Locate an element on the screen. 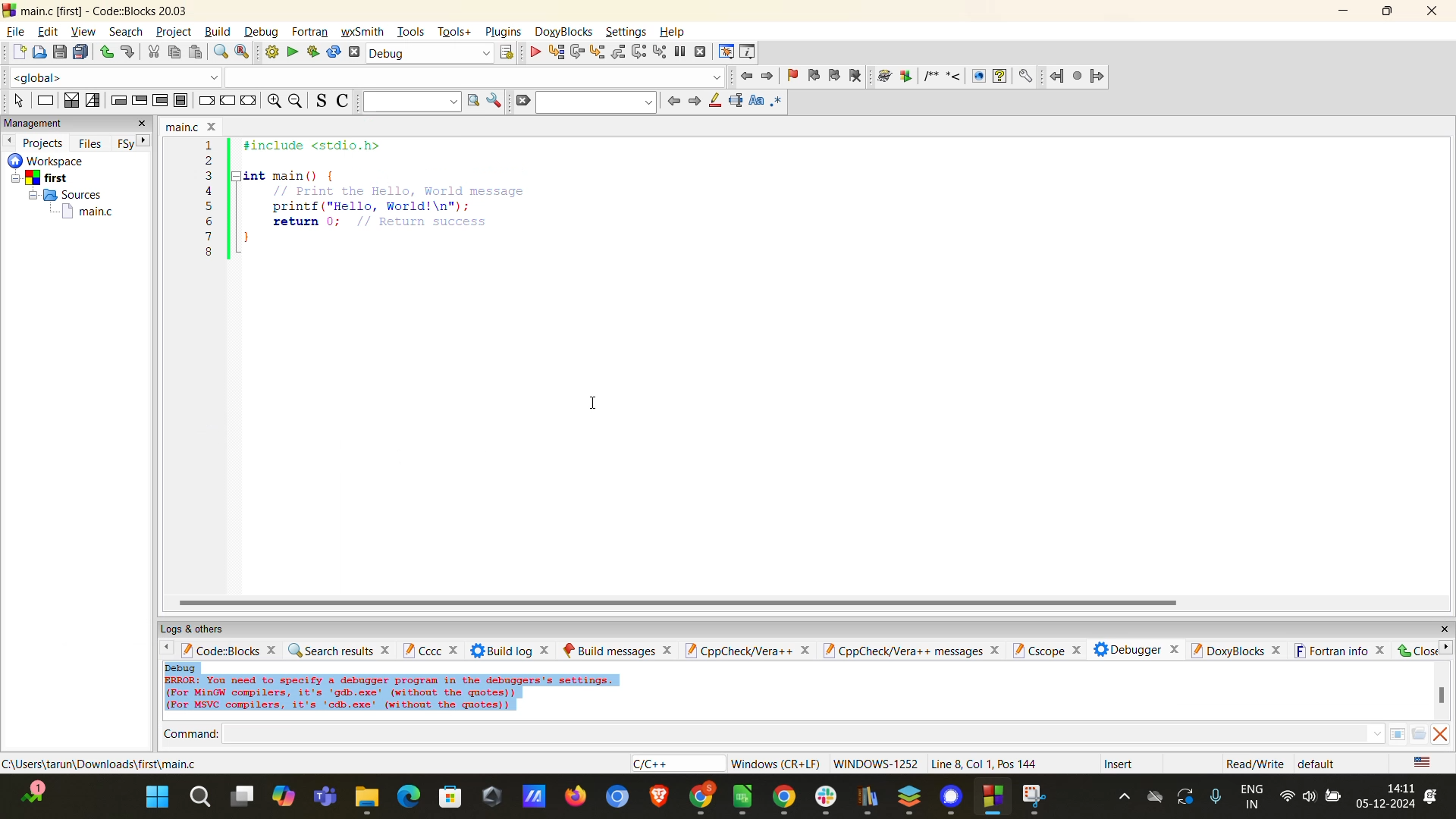 The height and width of the screenshot is (819, 1456). clear is located at coordinates (522, 100).